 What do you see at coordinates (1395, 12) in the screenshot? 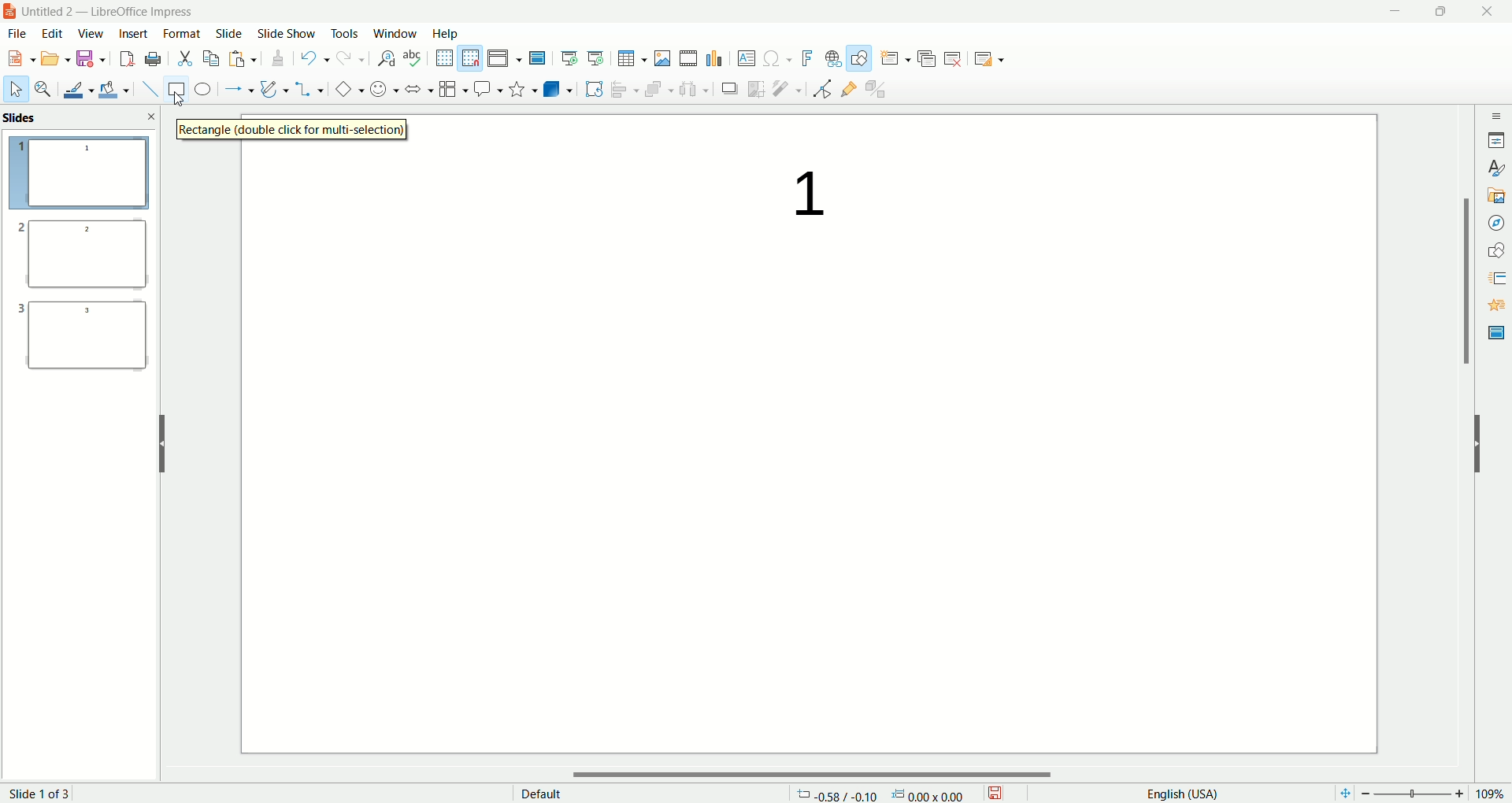
I see `minimize` at bounding box center [1395, 12].